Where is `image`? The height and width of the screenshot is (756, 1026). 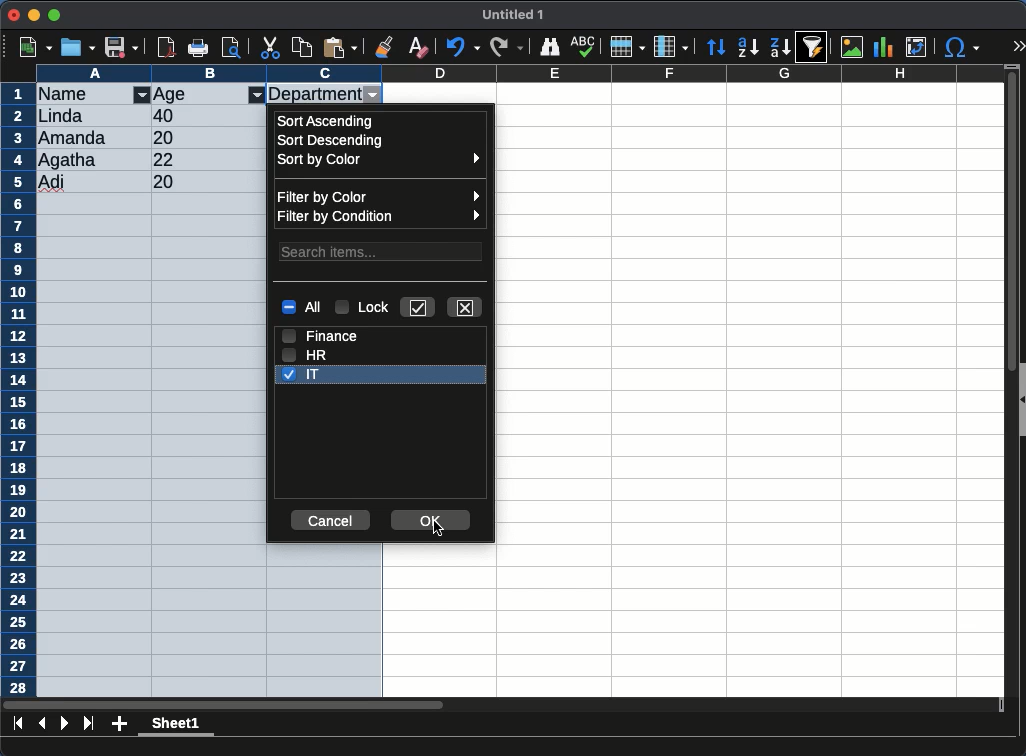
image is located at coordinates (851, 49).